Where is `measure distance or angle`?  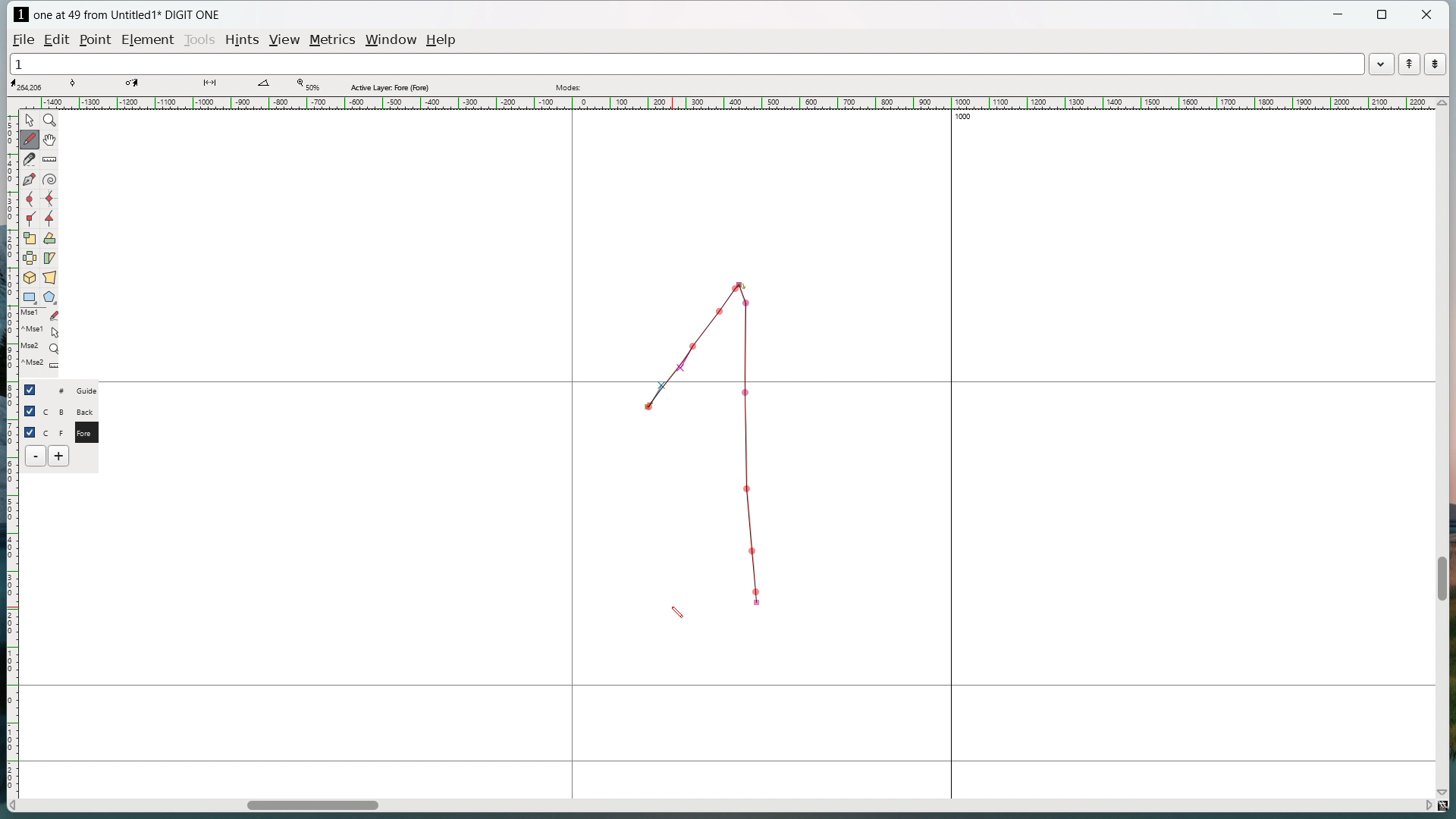
measure distance or angle is located at coordinates (51, 158).